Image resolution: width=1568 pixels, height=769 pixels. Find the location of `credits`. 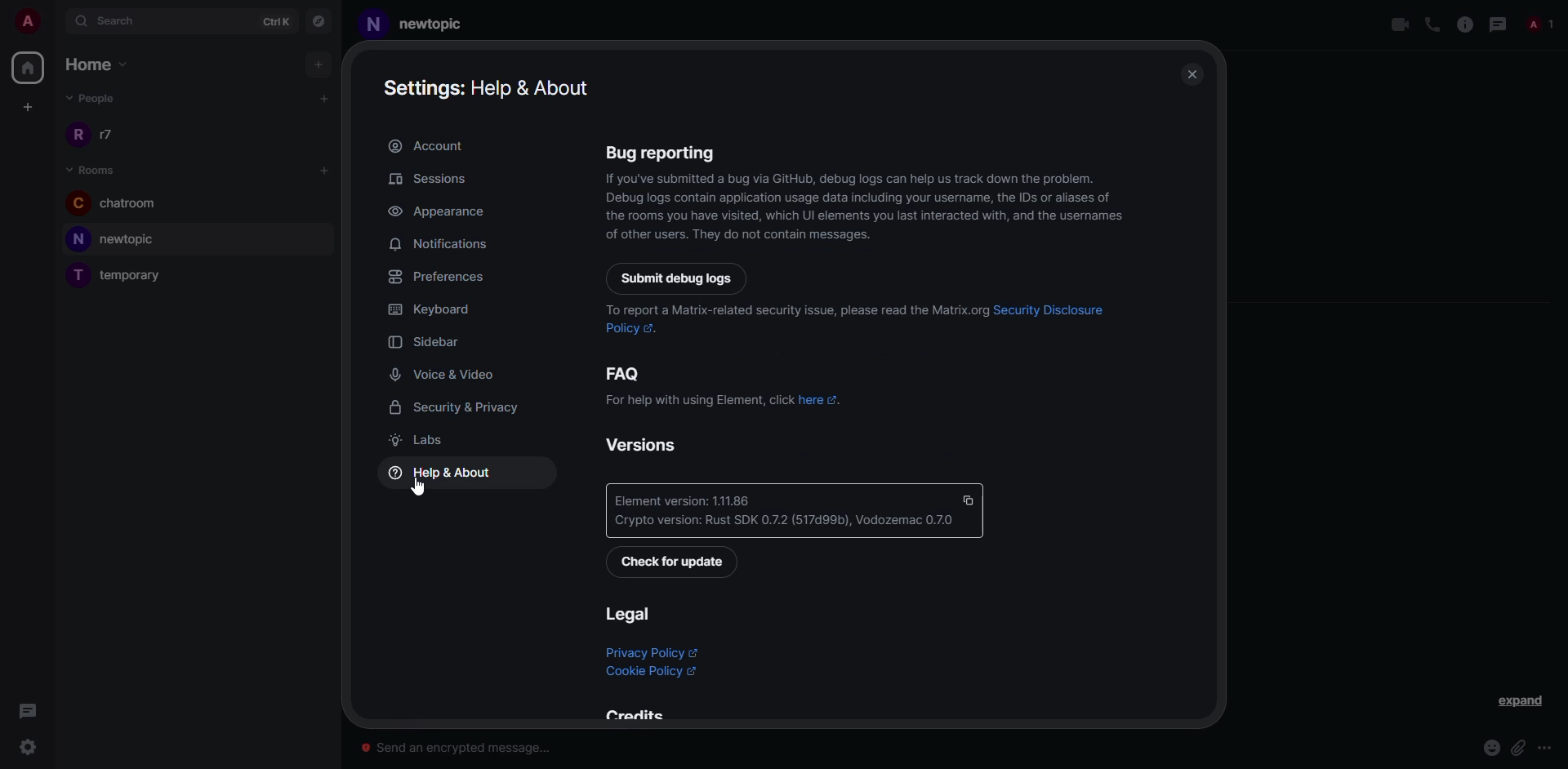

credits is located at coordinates (635, 713).